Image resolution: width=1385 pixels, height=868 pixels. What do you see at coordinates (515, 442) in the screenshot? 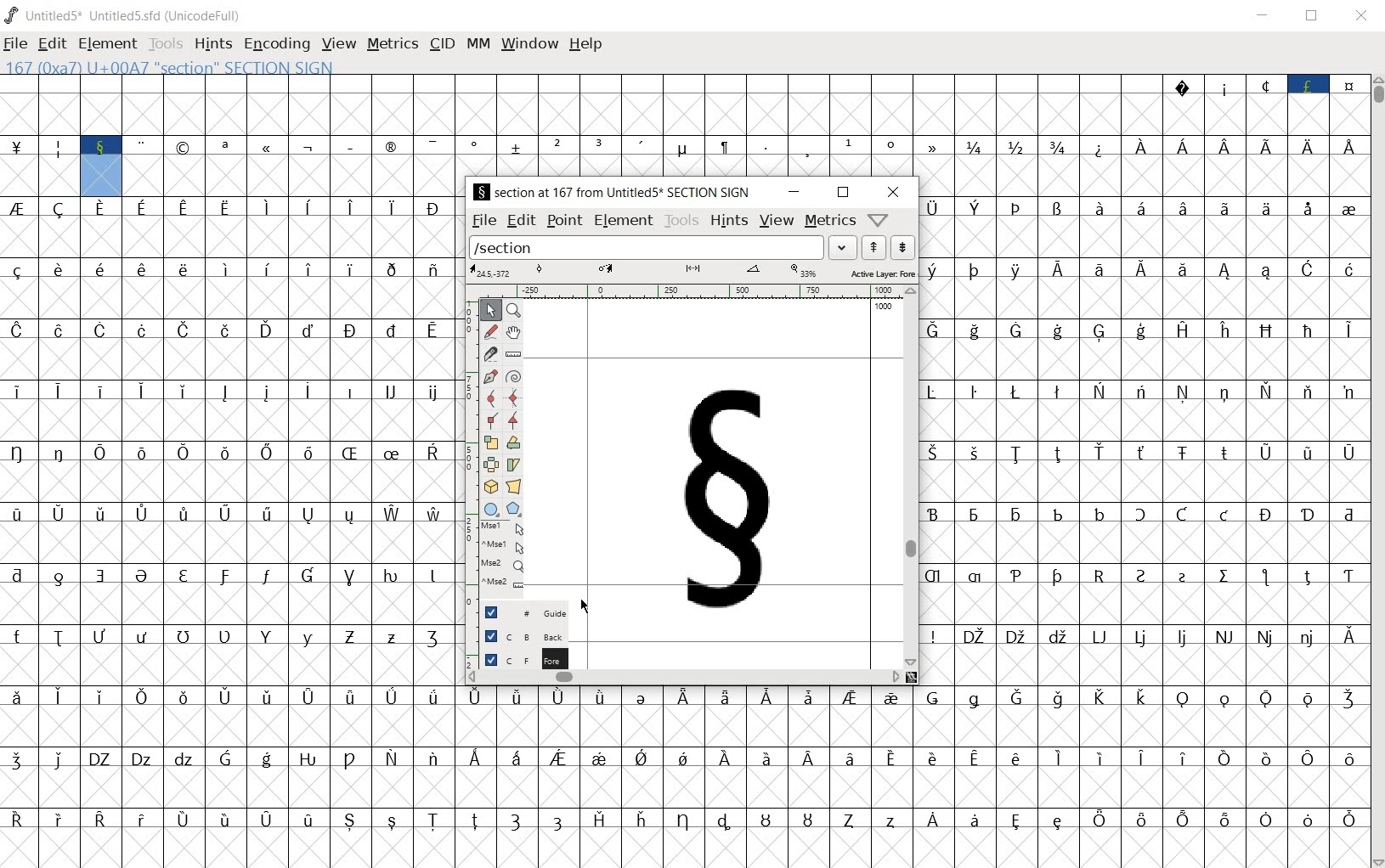
I see `Rotate the selection` at bounding box center [515, 442].